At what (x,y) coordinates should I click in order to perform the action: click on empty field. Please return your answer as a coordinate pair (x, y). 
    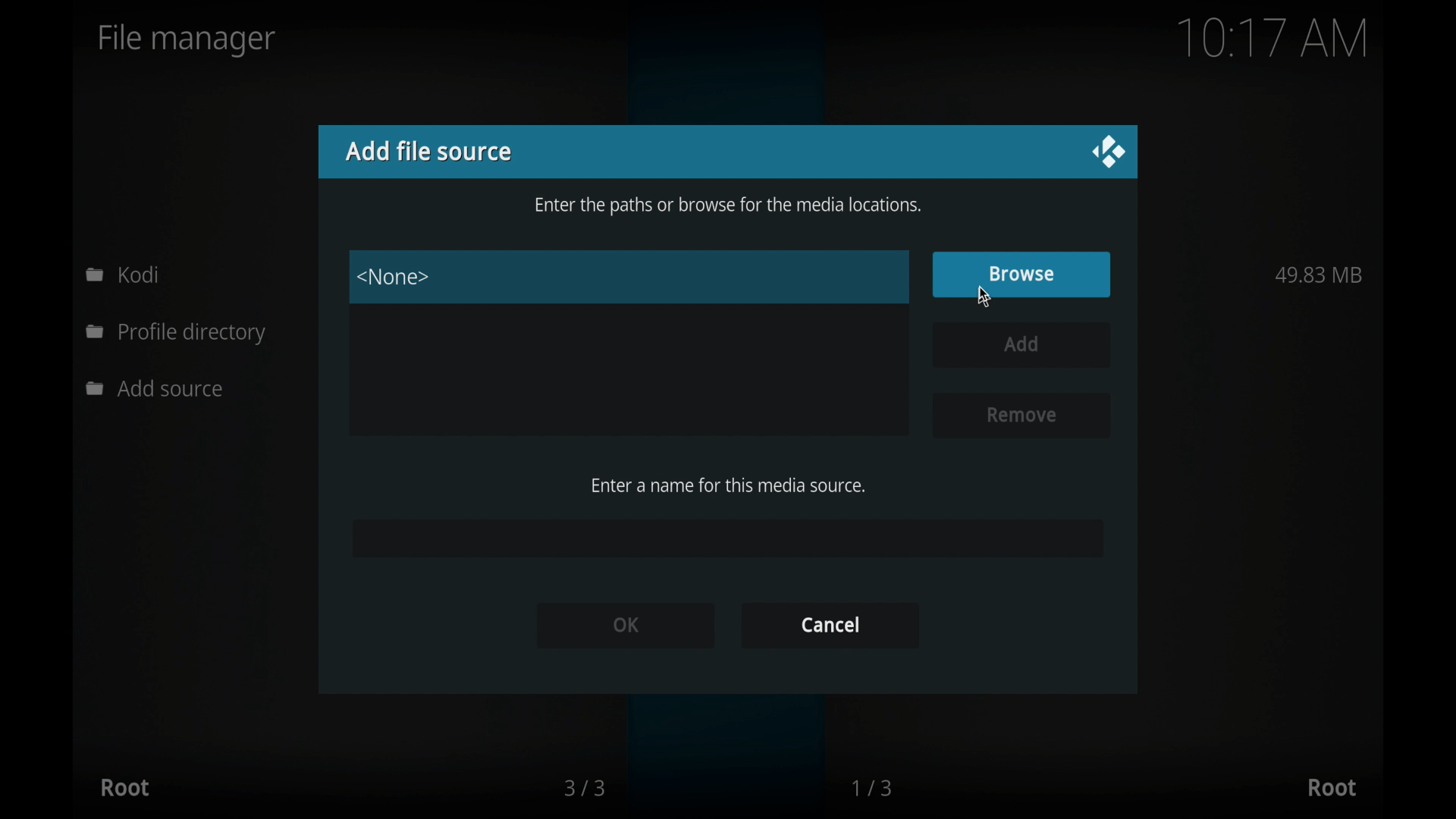
    Looking at the image, I should click on (725, 538).